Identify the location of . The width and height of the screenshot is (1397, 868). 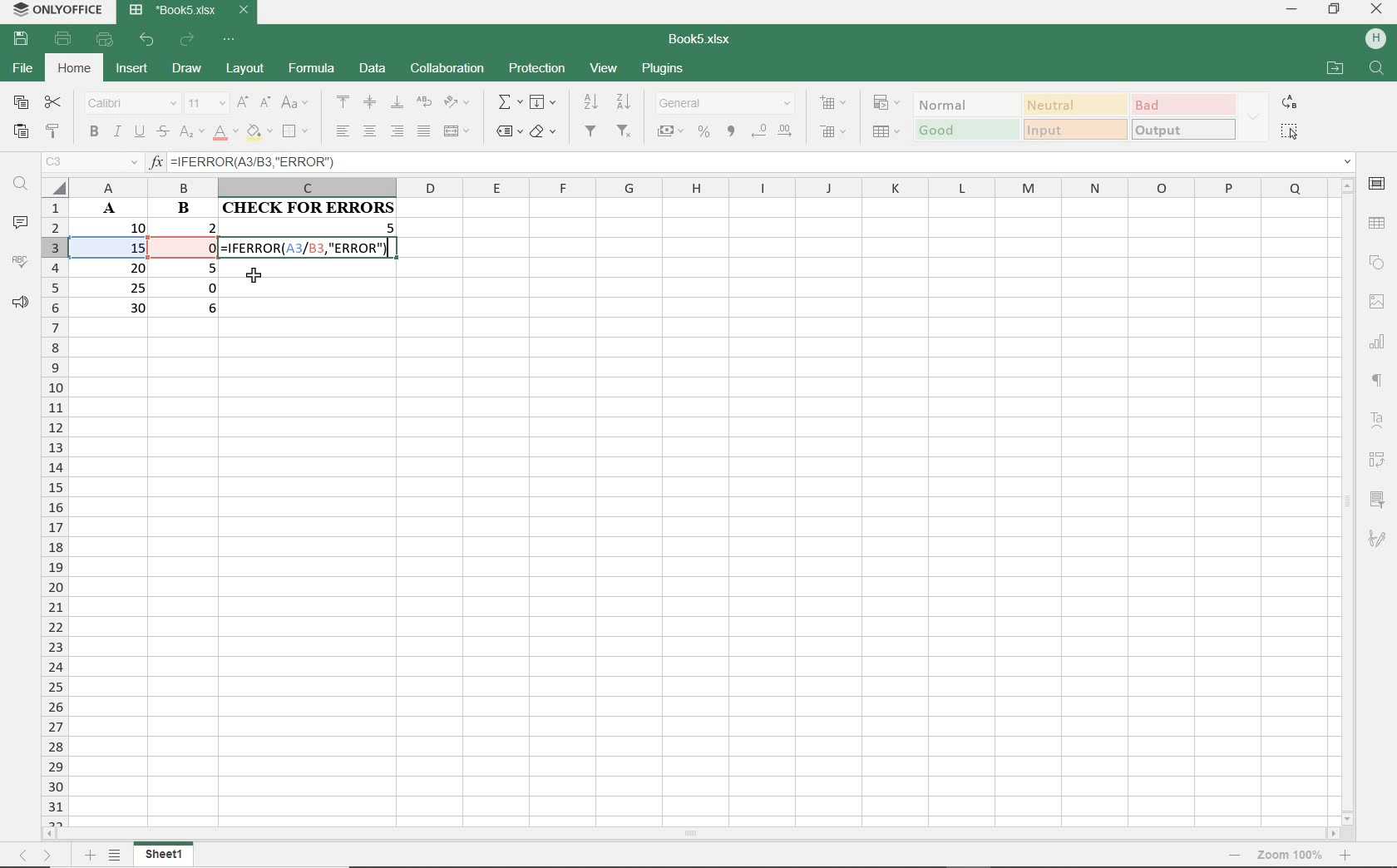
(1377, 70).